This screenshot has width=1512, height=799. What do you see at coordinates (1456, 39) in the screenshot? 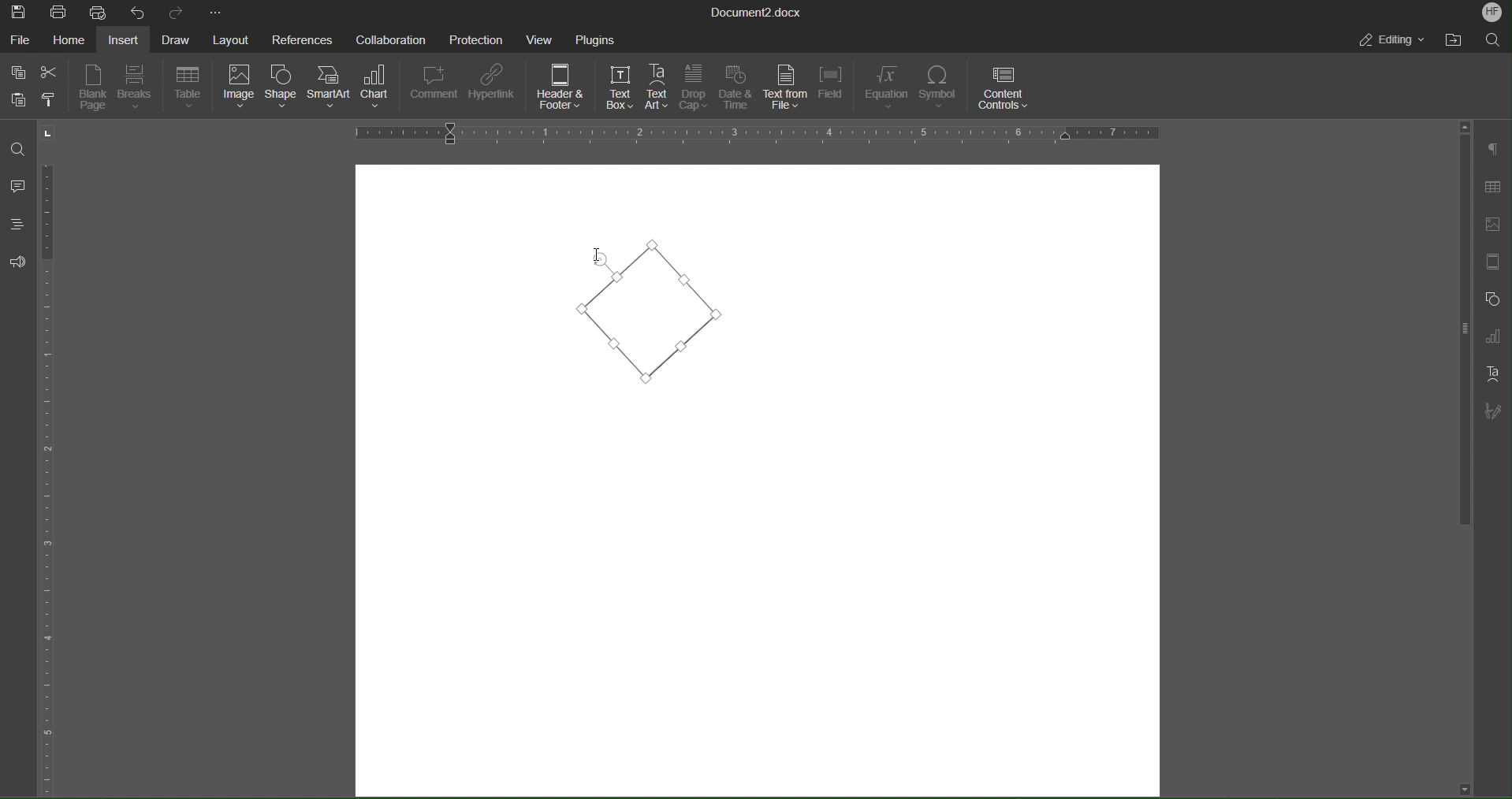
I see `Open File Location` at bounding box center [1456, 39].